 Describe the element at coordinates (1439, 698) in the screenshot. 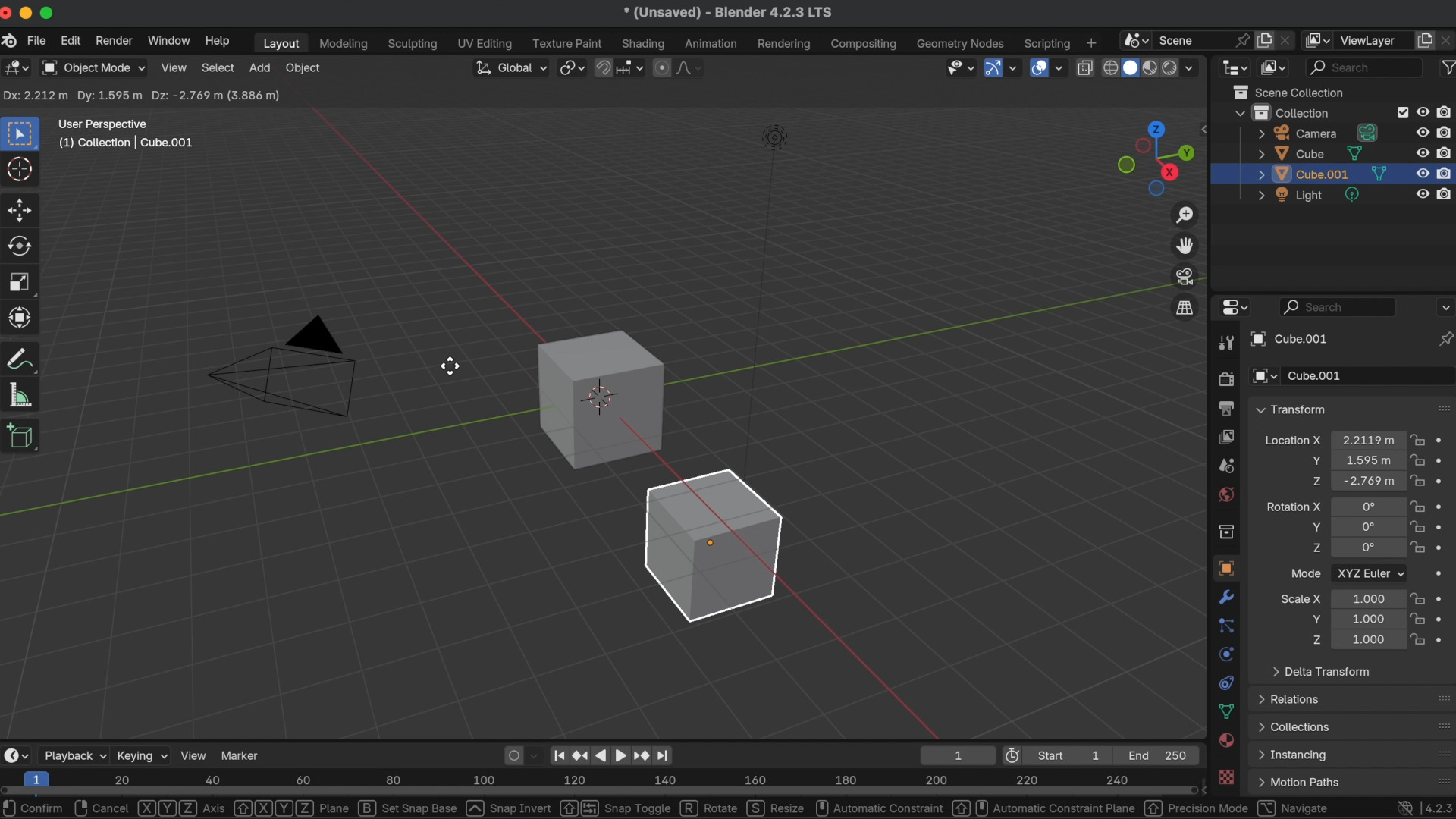

I see `drag handles` at that location.